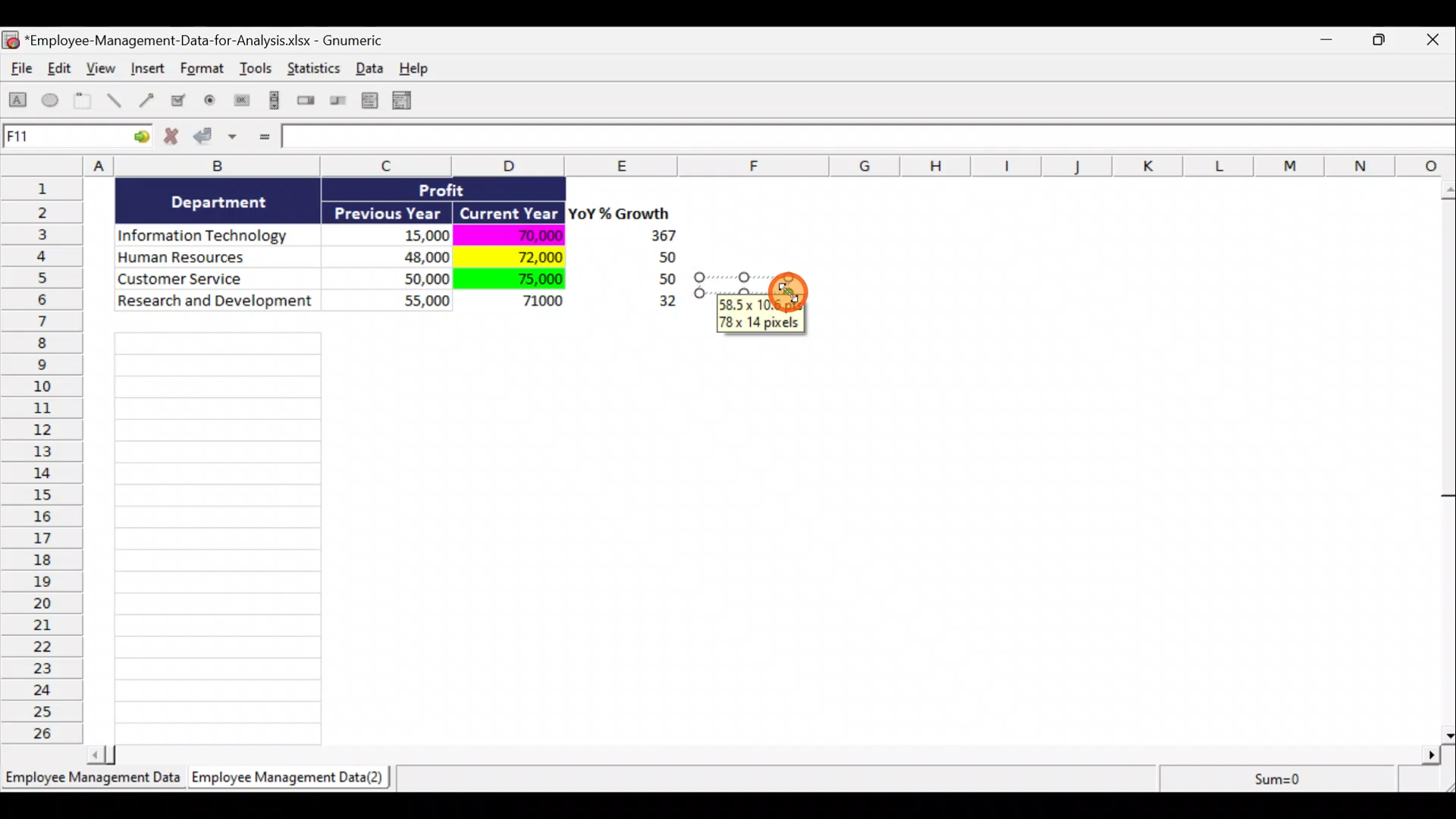 The width and height of the screenshot is (1456, 819). I want to click on Help, so click(422, 68).